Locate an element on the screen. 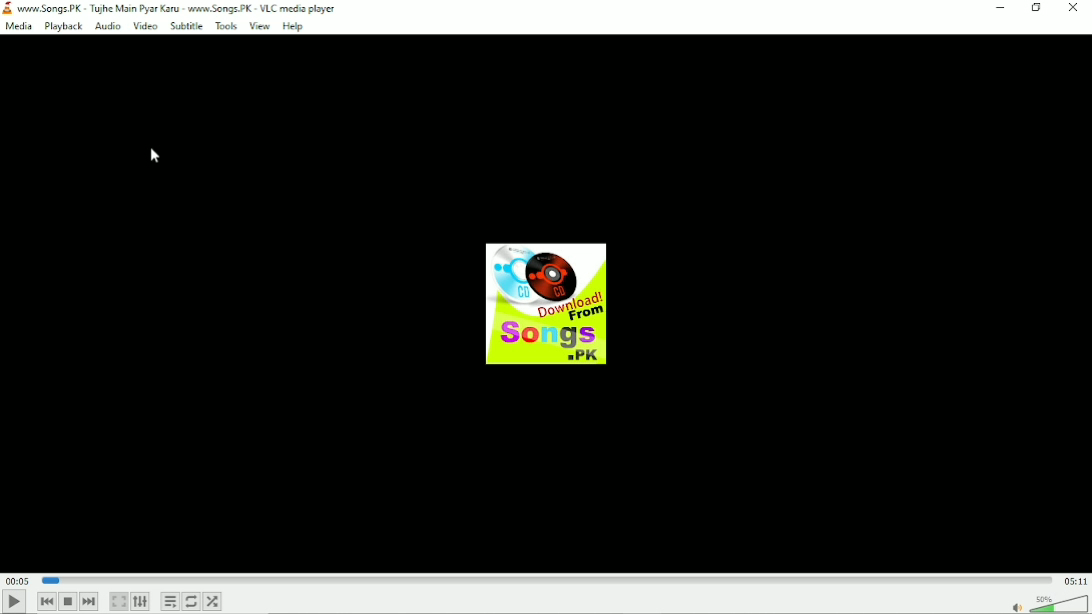  Total duration is located at coordinates (1076, 580).